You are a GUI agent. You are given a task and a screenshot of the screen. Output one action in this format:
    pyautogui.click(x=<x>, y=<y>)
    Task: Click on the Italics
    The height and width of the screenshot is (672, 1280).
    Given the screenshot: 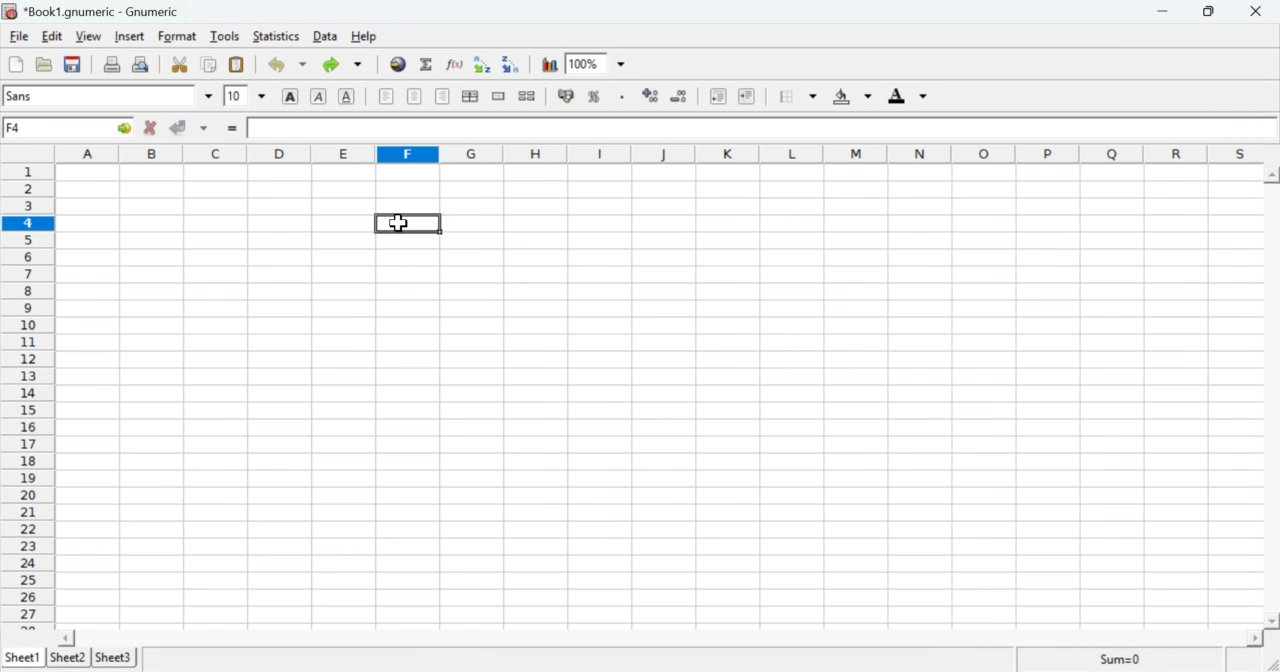 What is the action you would take?
    pyautogui.click(x=319, y=96)
    